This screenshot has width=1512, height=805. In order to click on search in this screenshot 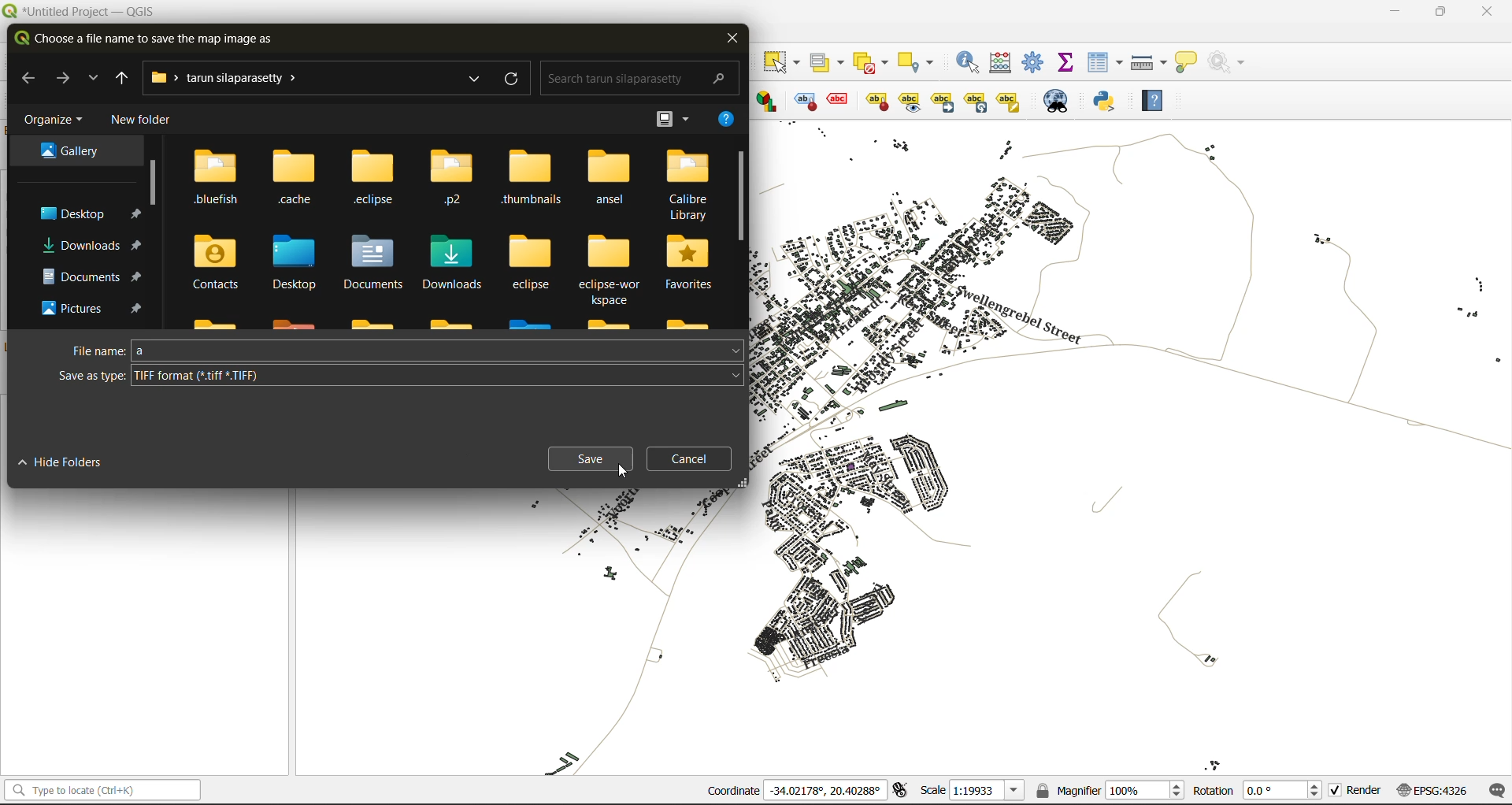, I will do `click(634, 76)`.